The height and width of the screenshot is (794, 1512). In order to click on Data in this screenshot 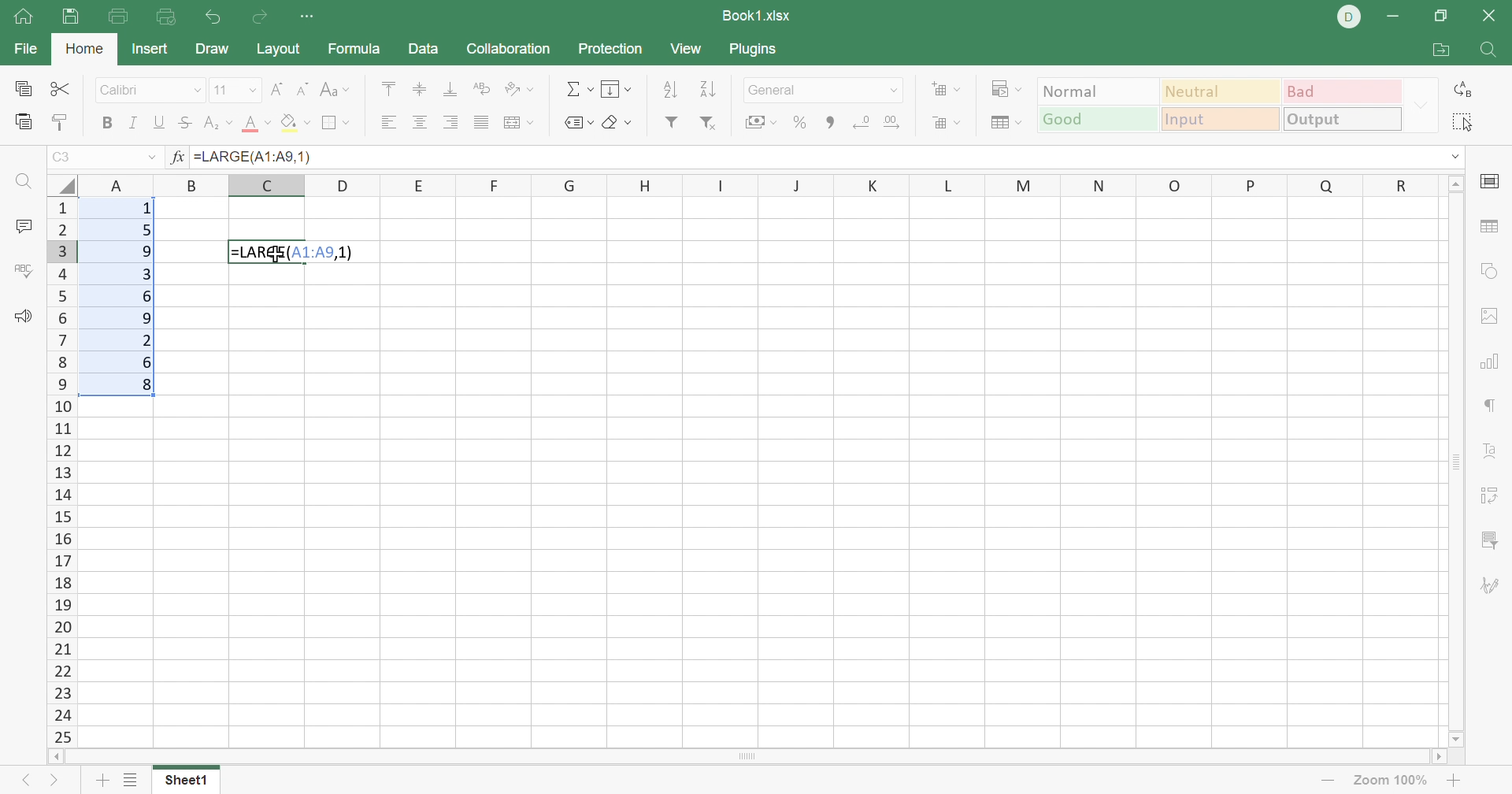, I will do `click(426, 50)`.